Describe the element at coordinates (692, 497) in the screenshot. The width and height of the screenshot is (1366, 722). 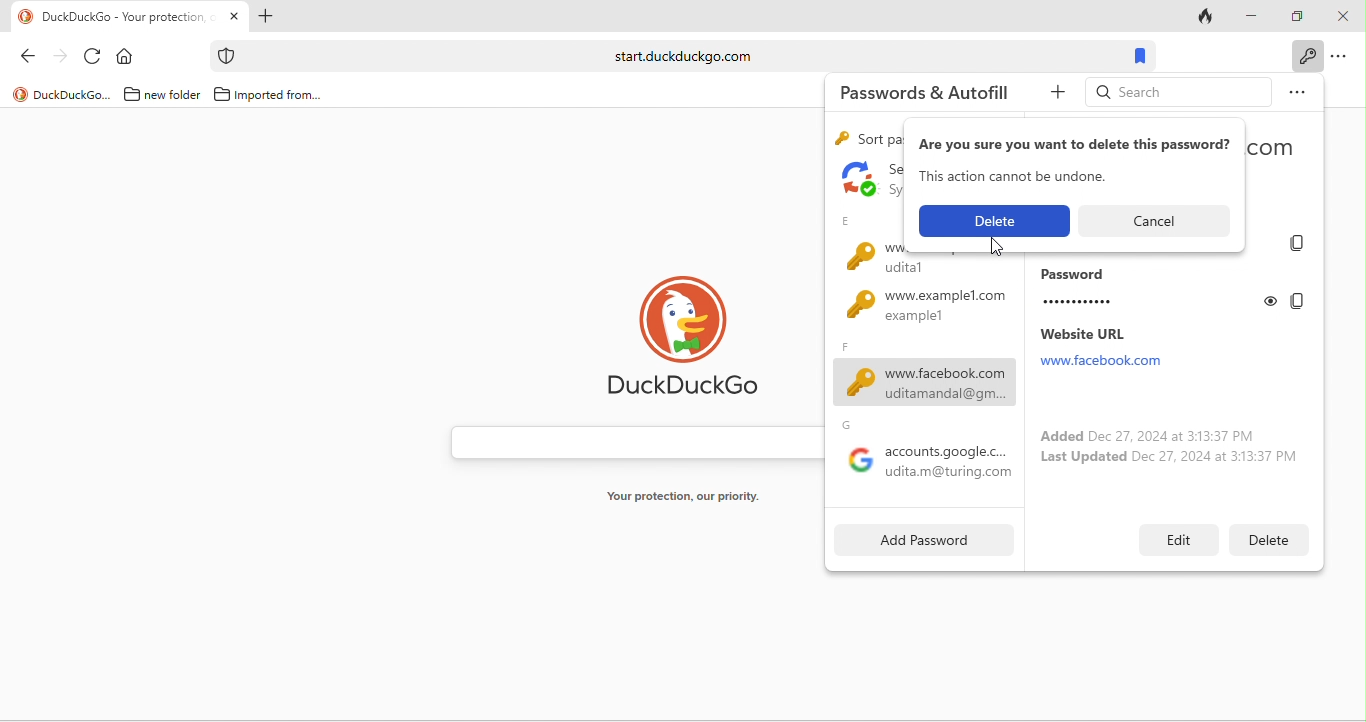
I see `your protection, our priority.` at that location.